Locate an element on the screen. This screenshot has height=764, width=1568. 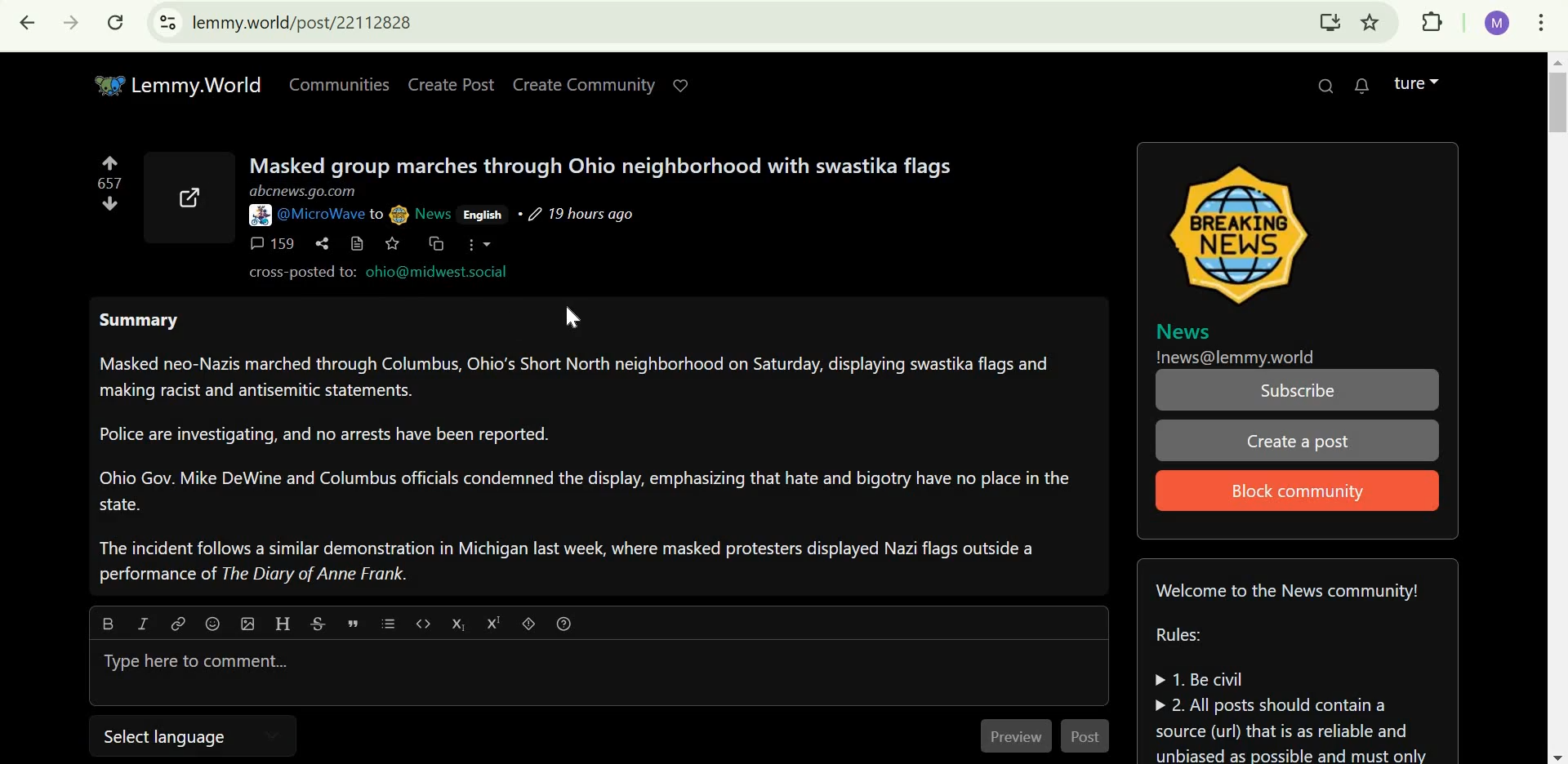
formatting help is located at coordinates (565, 624).